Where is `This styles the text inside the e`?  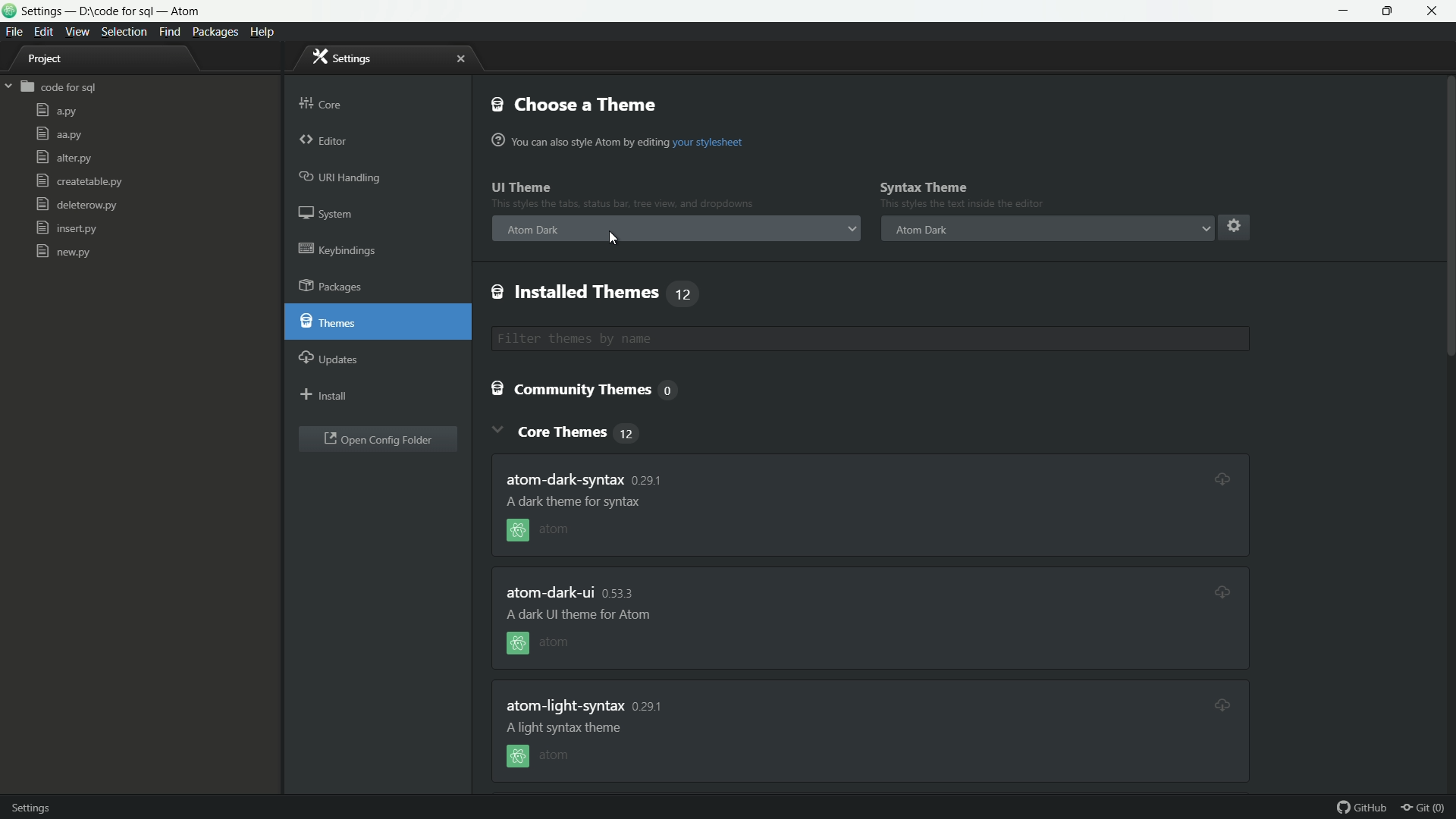
This styles the text inside the e is located at coordinates (623, 206).